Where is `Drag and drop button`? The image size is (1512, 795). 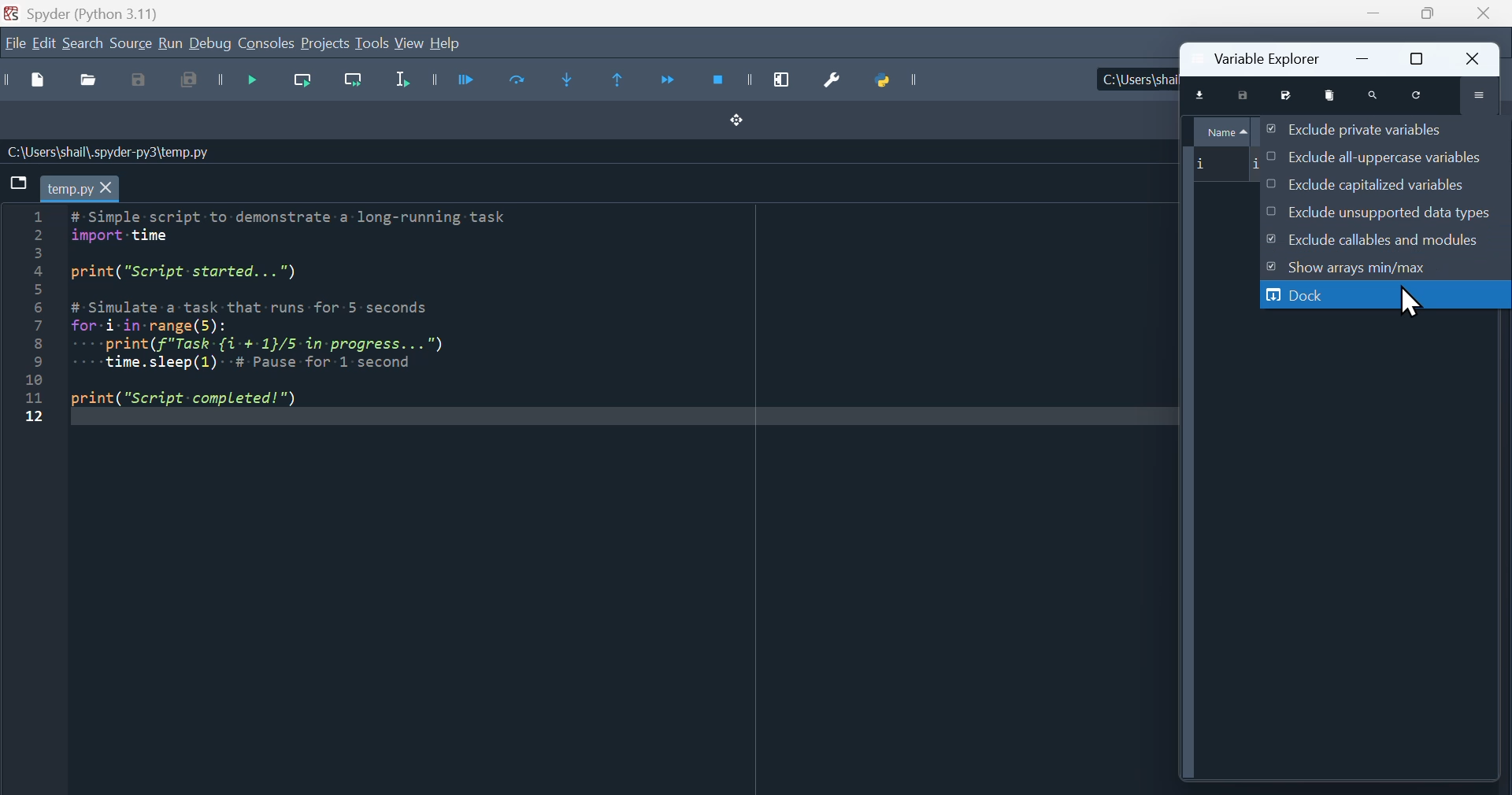
Drag and drop button is located at coordinates (739, 121).